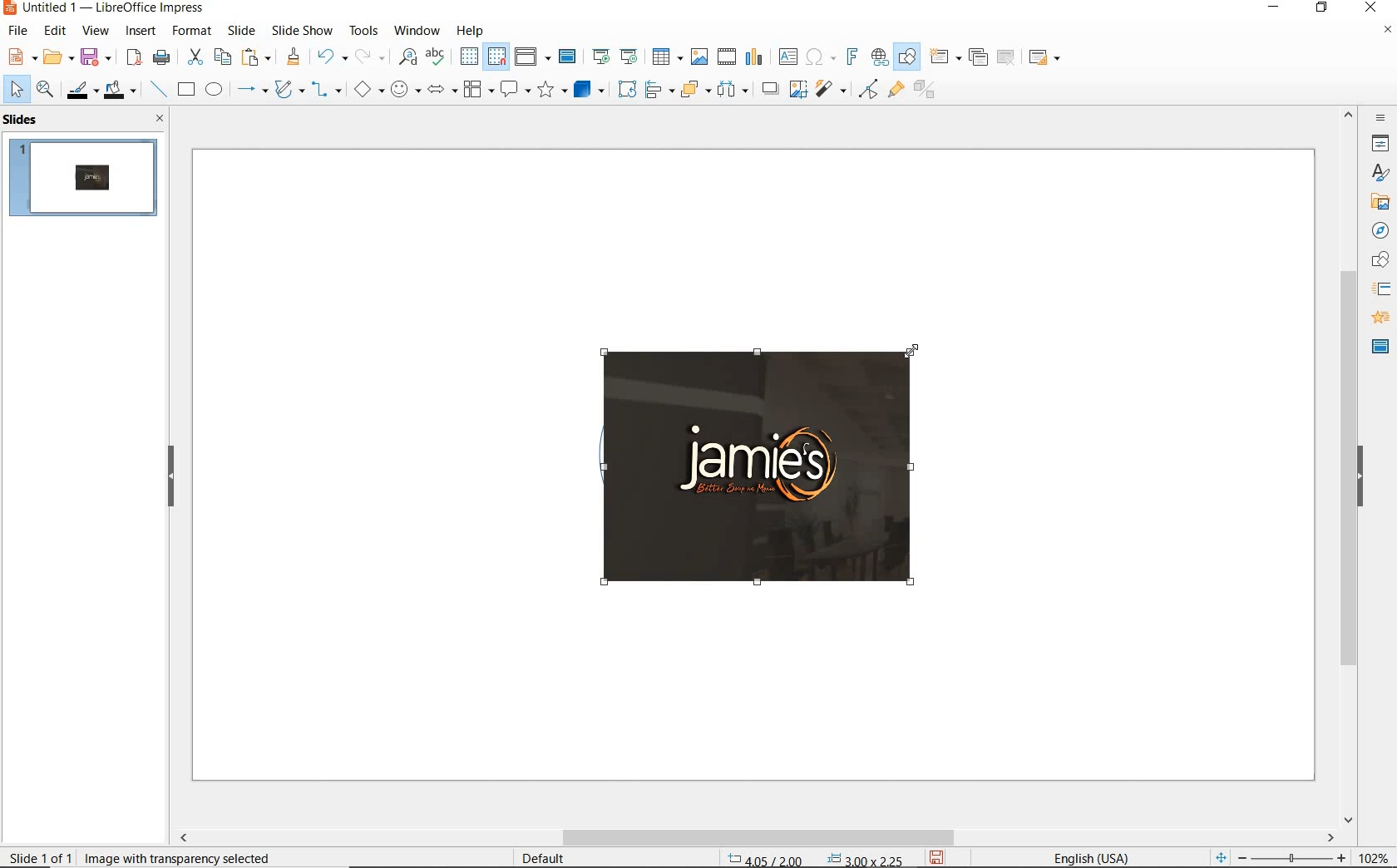  I want to click on styles, so click(1380, 174).